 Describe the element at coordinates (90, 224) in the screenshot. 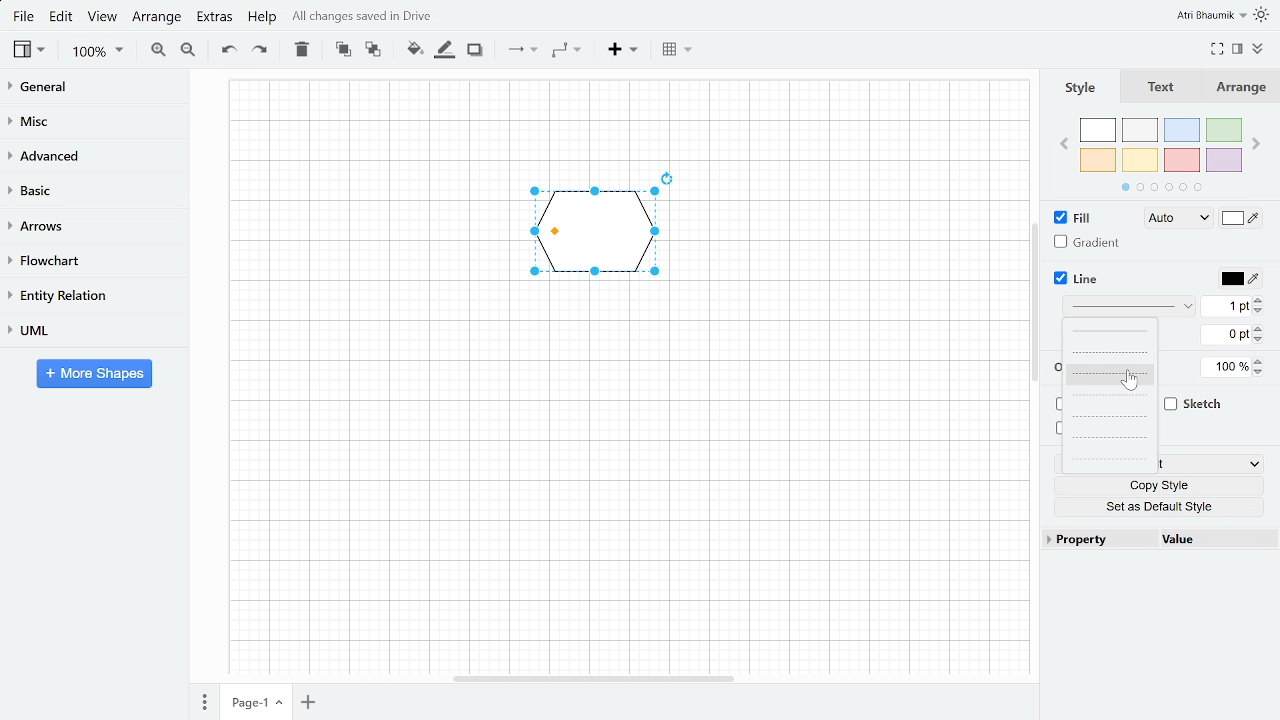

I see ` Arrows` at that location.